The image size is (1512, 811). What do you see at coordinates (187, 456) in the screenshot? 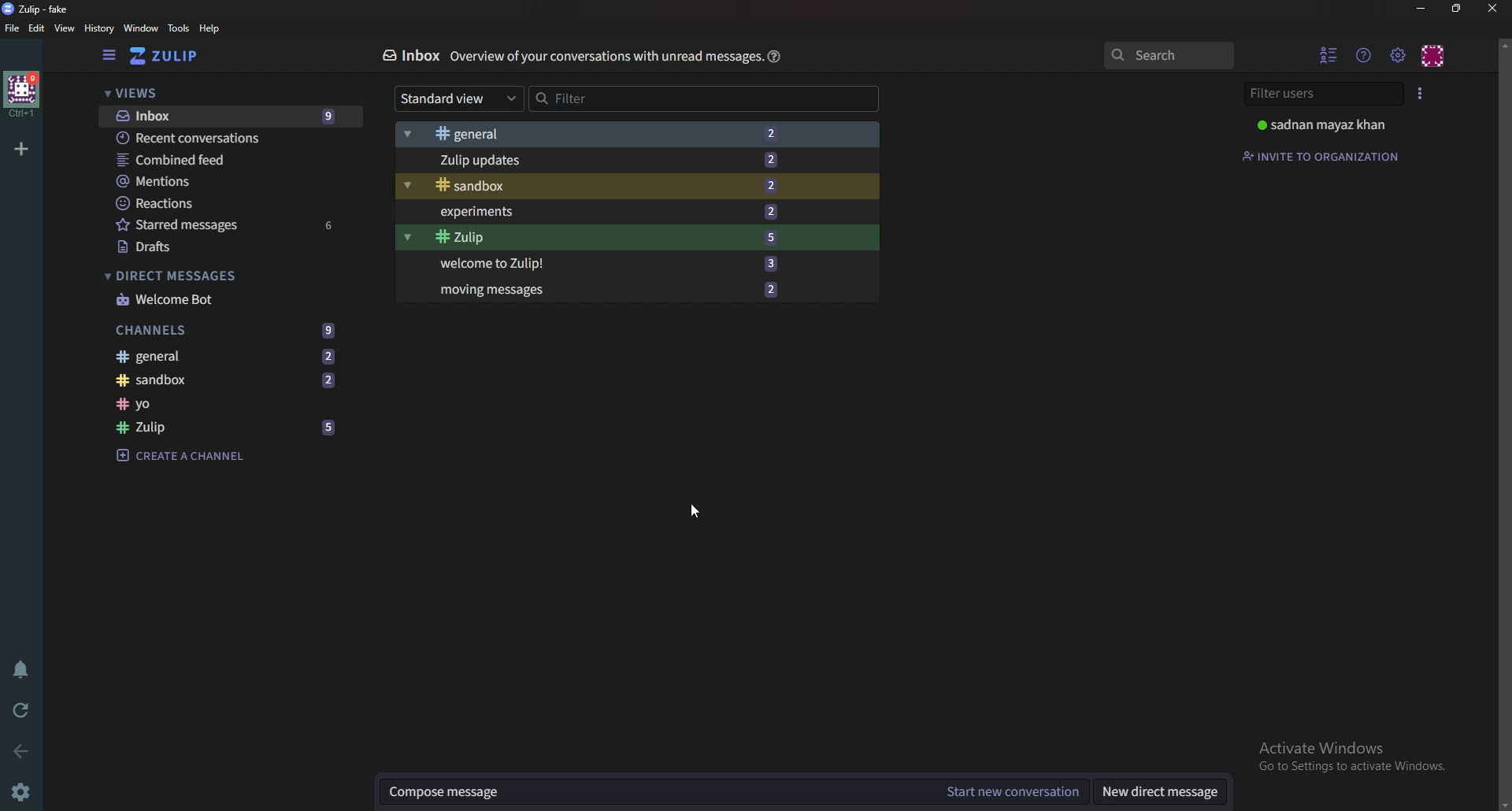
I see `Create a channel` at bounding box center [187, 456].